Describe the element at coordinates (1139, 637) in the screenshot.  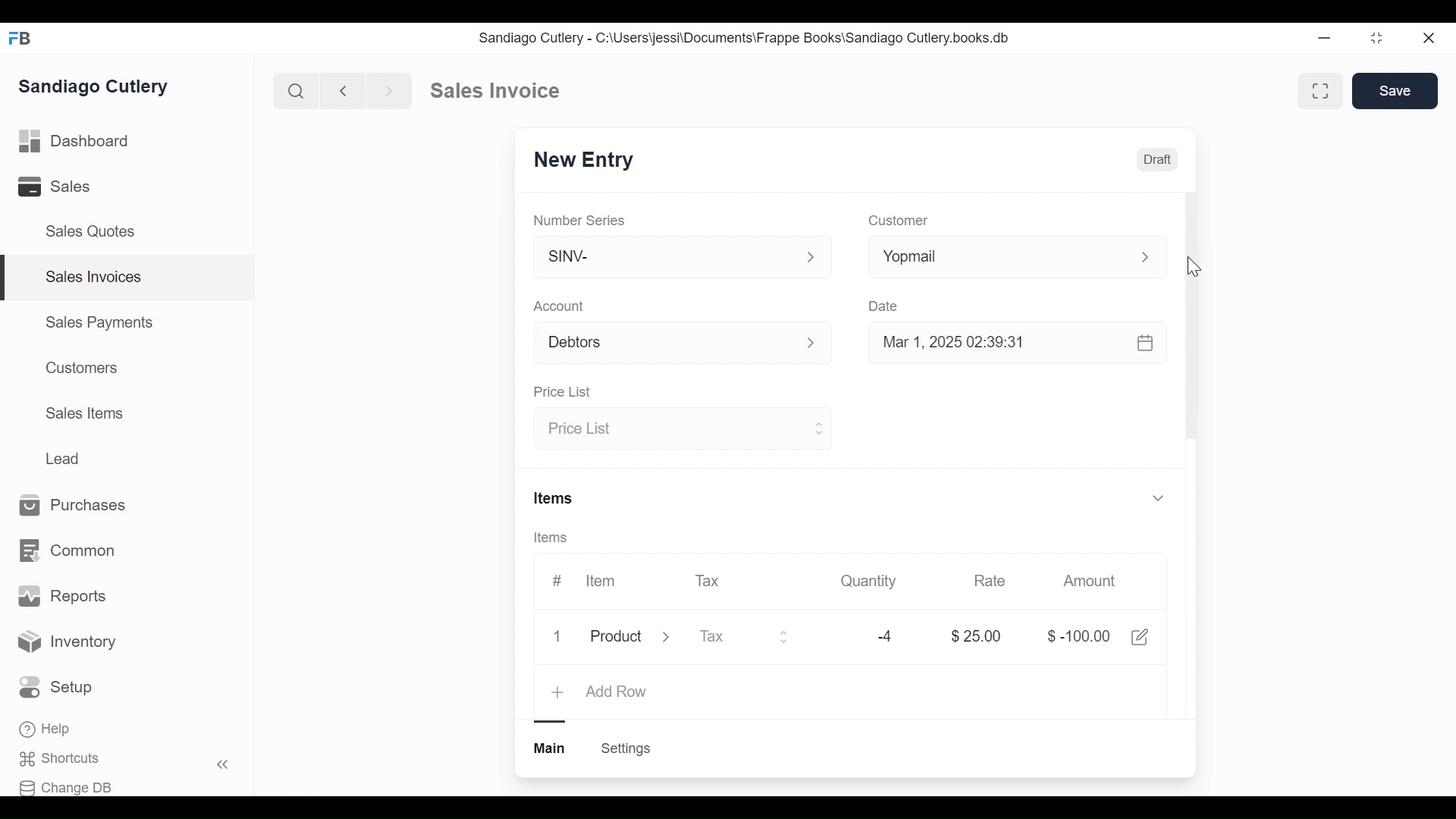
I see `Edit` at that location.